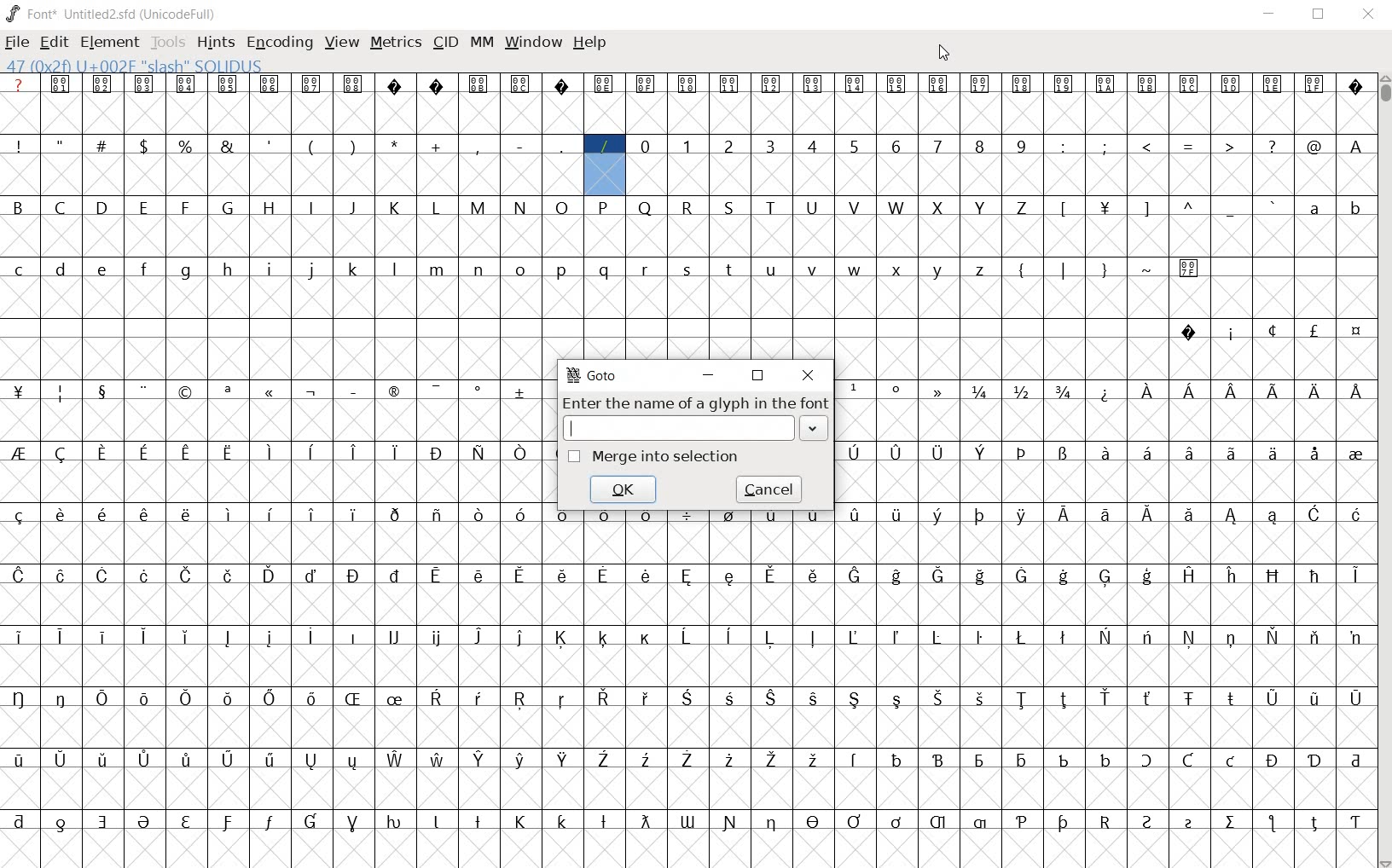 The width and height of the screenshot is (1392, 868). Describe the element at coordinates (604, 146) in the screenshot. I see `glyph` at that location.